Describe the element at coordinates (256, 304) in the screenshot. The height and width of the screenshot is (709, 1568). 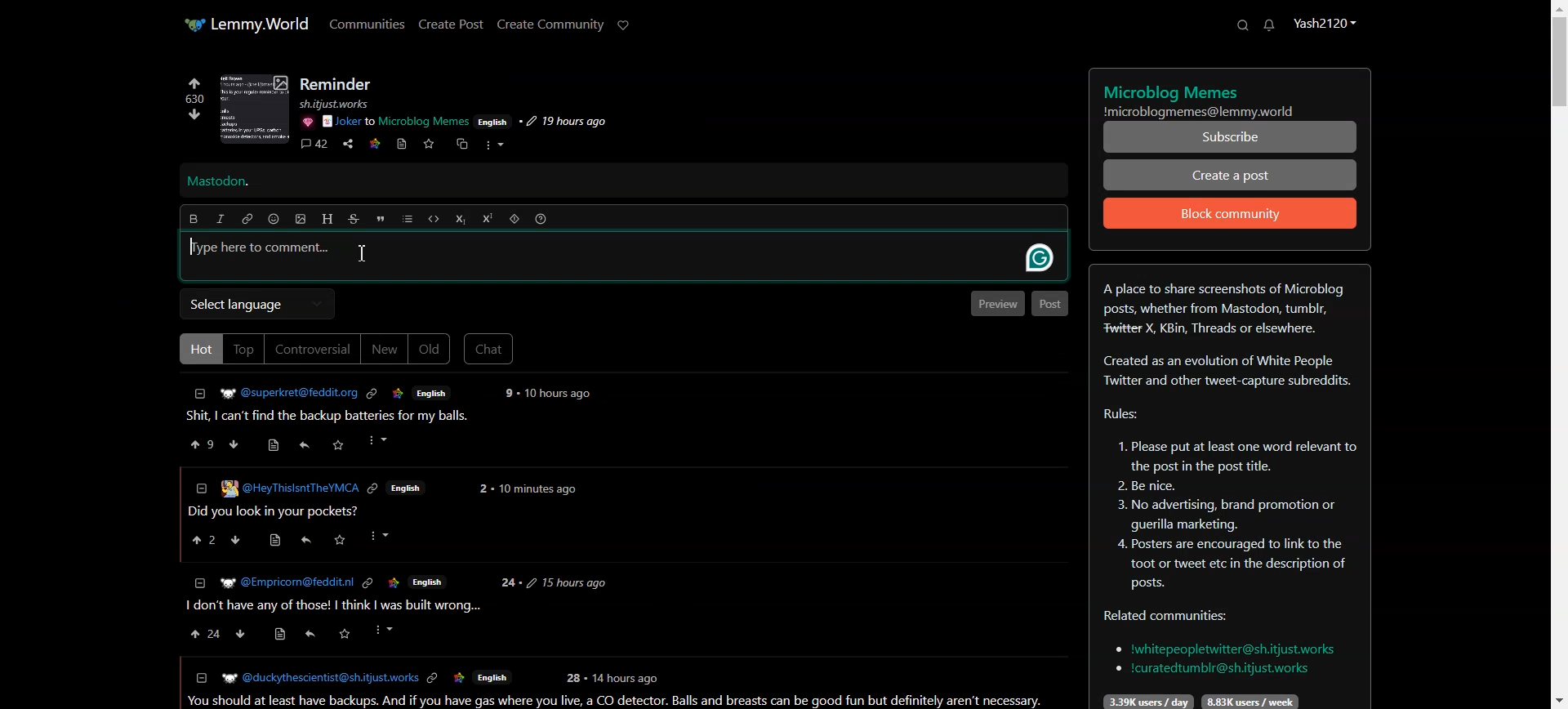
I see `Select language` at that location.